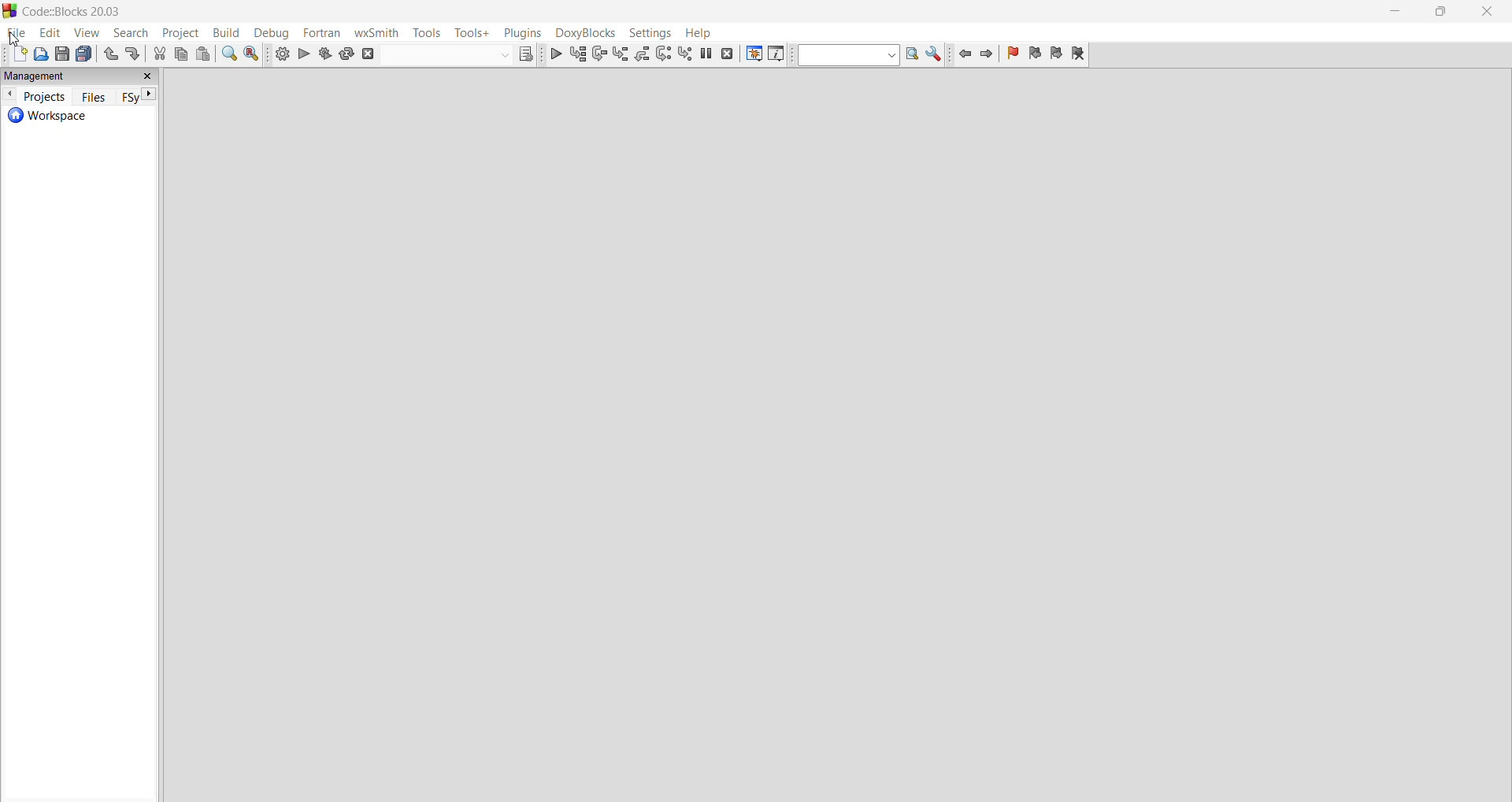 The image size is (1512, 802). Describe the element at coordinates (912, 56) in the screenshot. I see `run search ` at that location.